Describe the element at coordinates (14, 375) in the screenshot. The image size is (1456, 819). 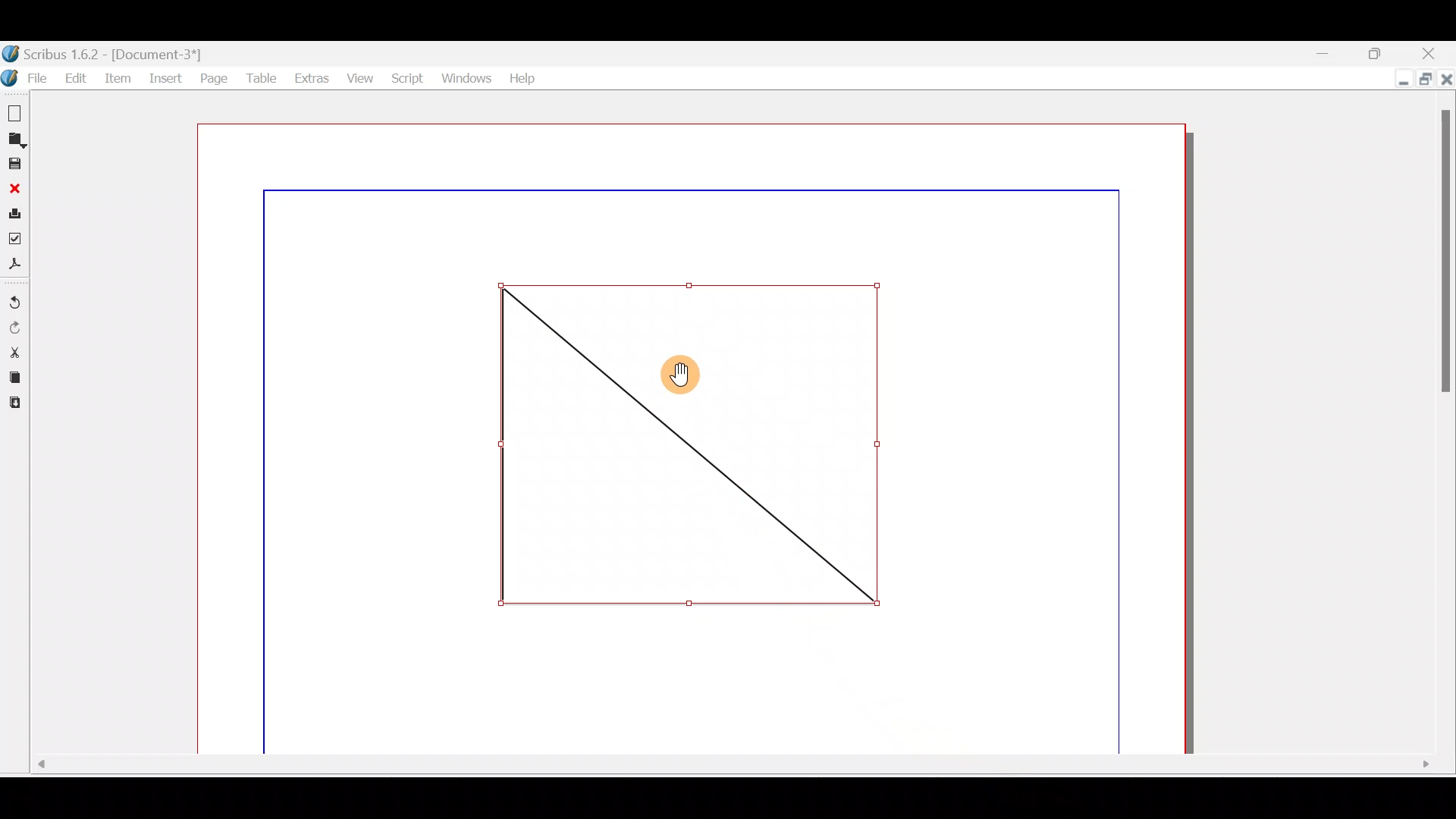
I see `Copy` at that location.